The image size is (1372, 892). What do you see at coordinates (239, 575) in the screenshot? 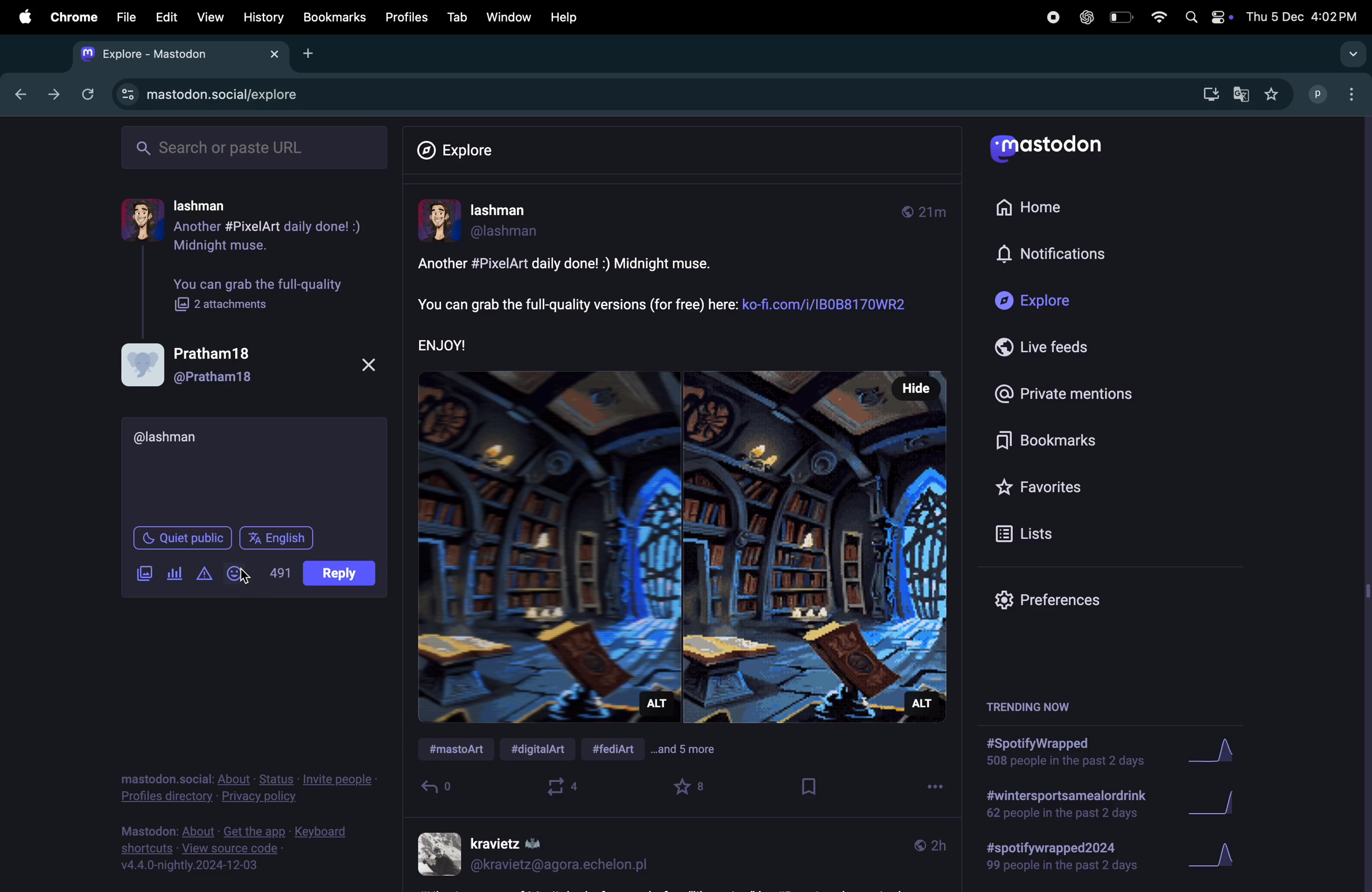
I see `emoji` at bounding box center [239, 575].